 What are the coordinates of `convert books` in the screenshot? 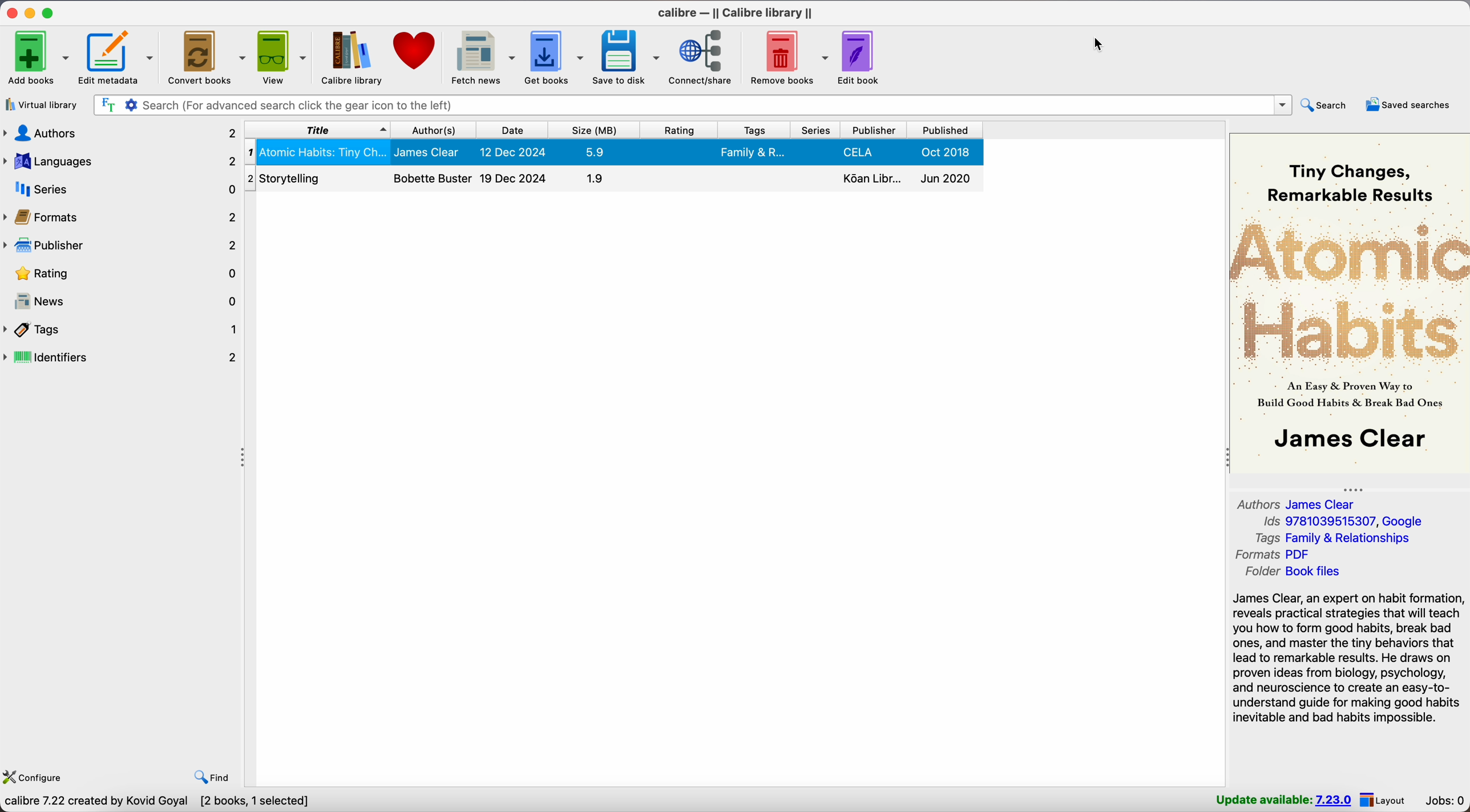 It's located at (205, 58).